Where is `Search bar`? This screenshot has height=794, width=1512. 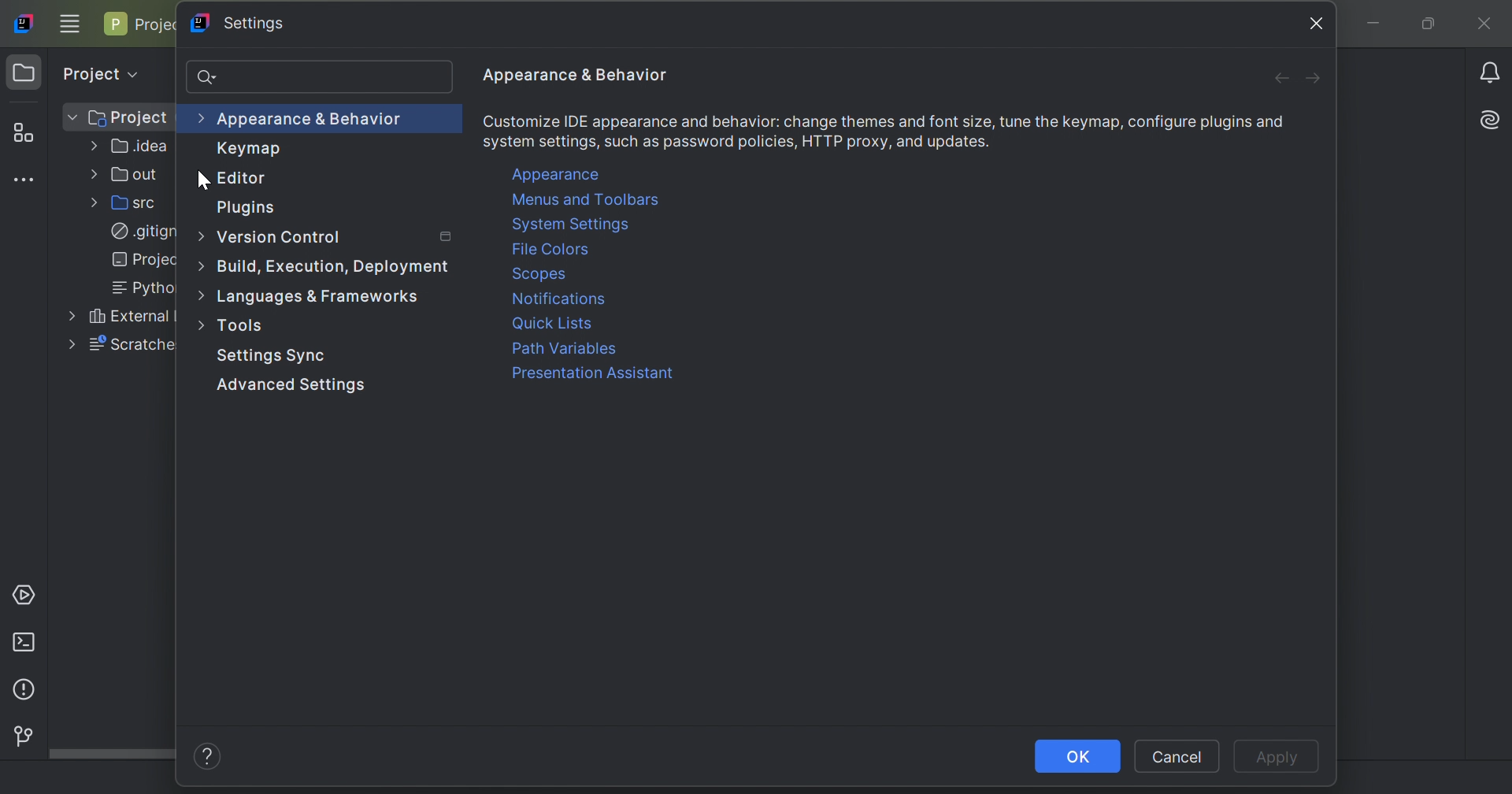
Search bar is located at coordinates (321, 79).